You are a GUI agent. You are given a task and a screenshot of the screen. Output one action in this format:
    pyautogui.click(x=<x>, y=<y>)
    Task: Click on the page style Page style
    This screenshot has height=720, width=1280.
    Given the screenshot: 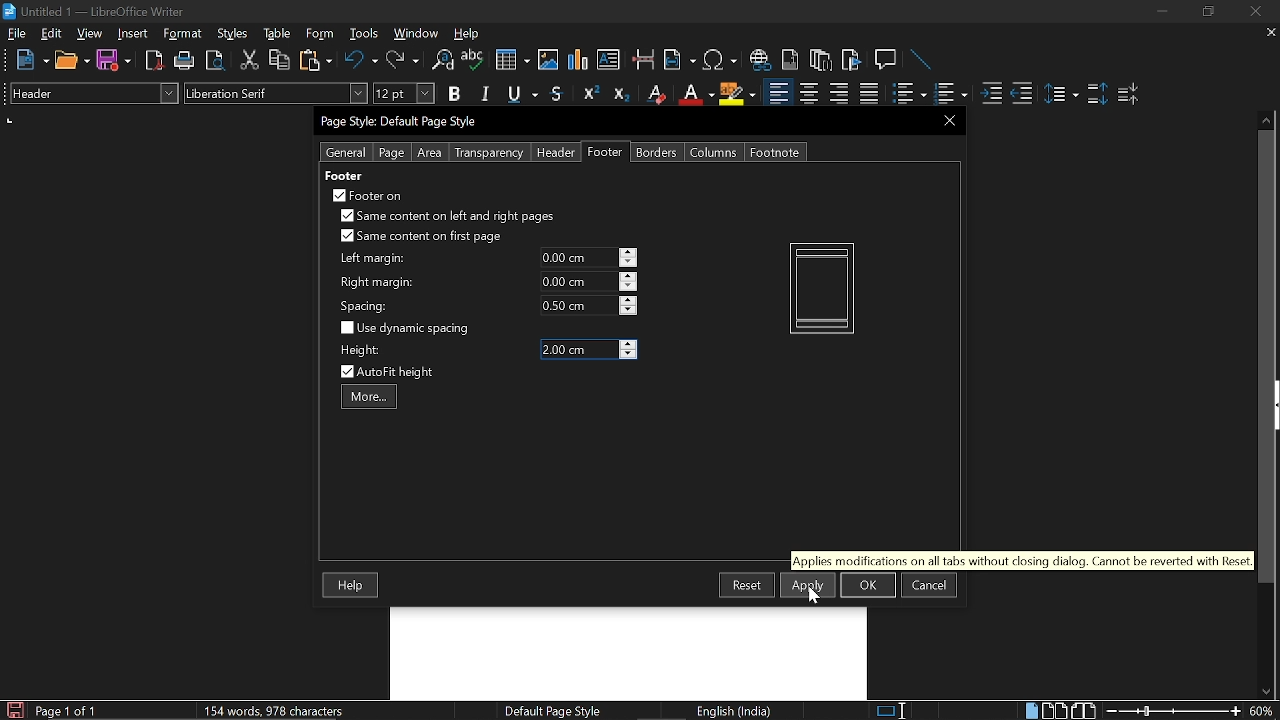 What is the action you would take?
    pyautogui.click(x=556, y=711)
    